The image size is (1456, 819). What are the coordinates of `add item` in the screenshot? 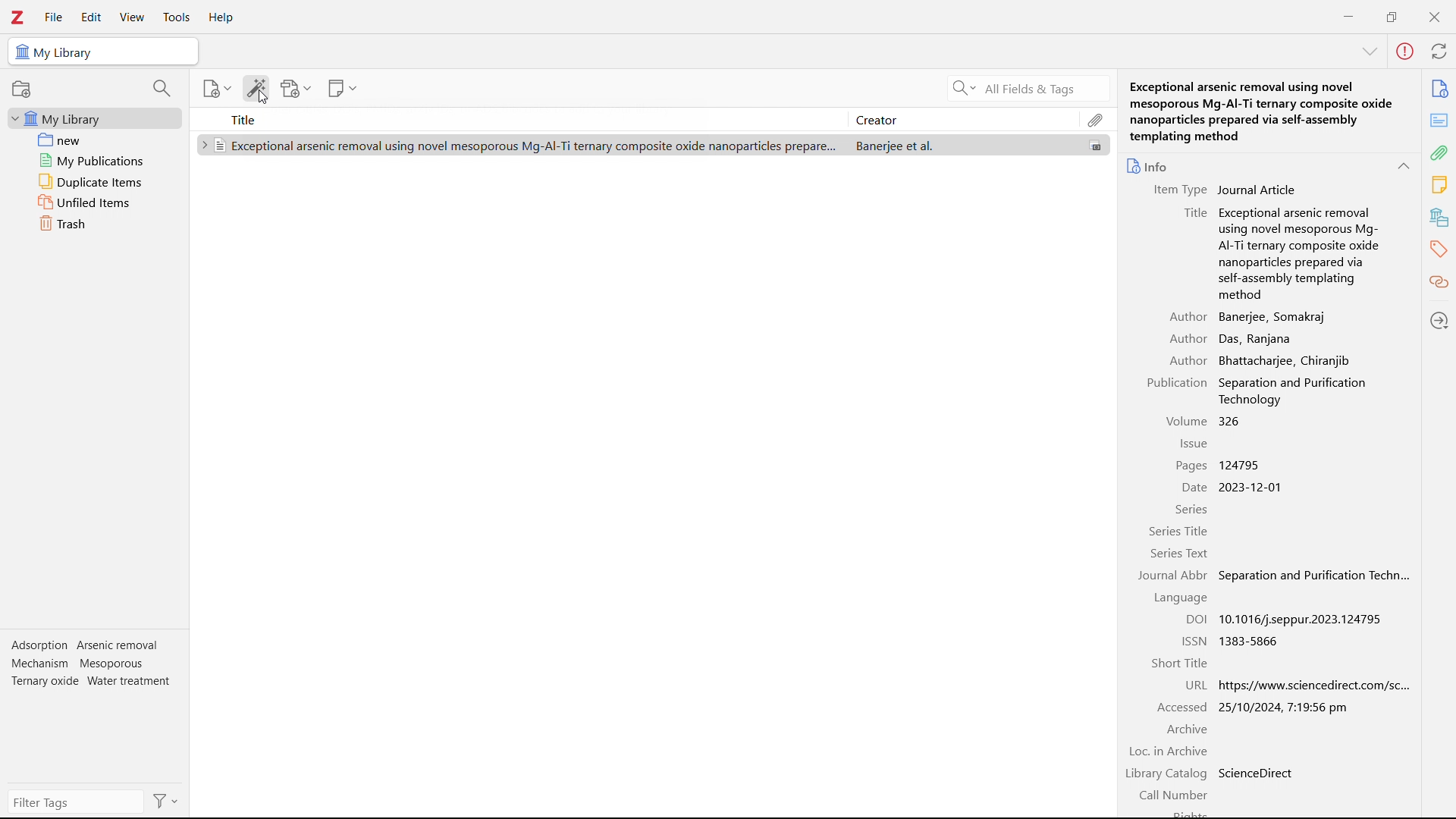 It's located at (218, 89).